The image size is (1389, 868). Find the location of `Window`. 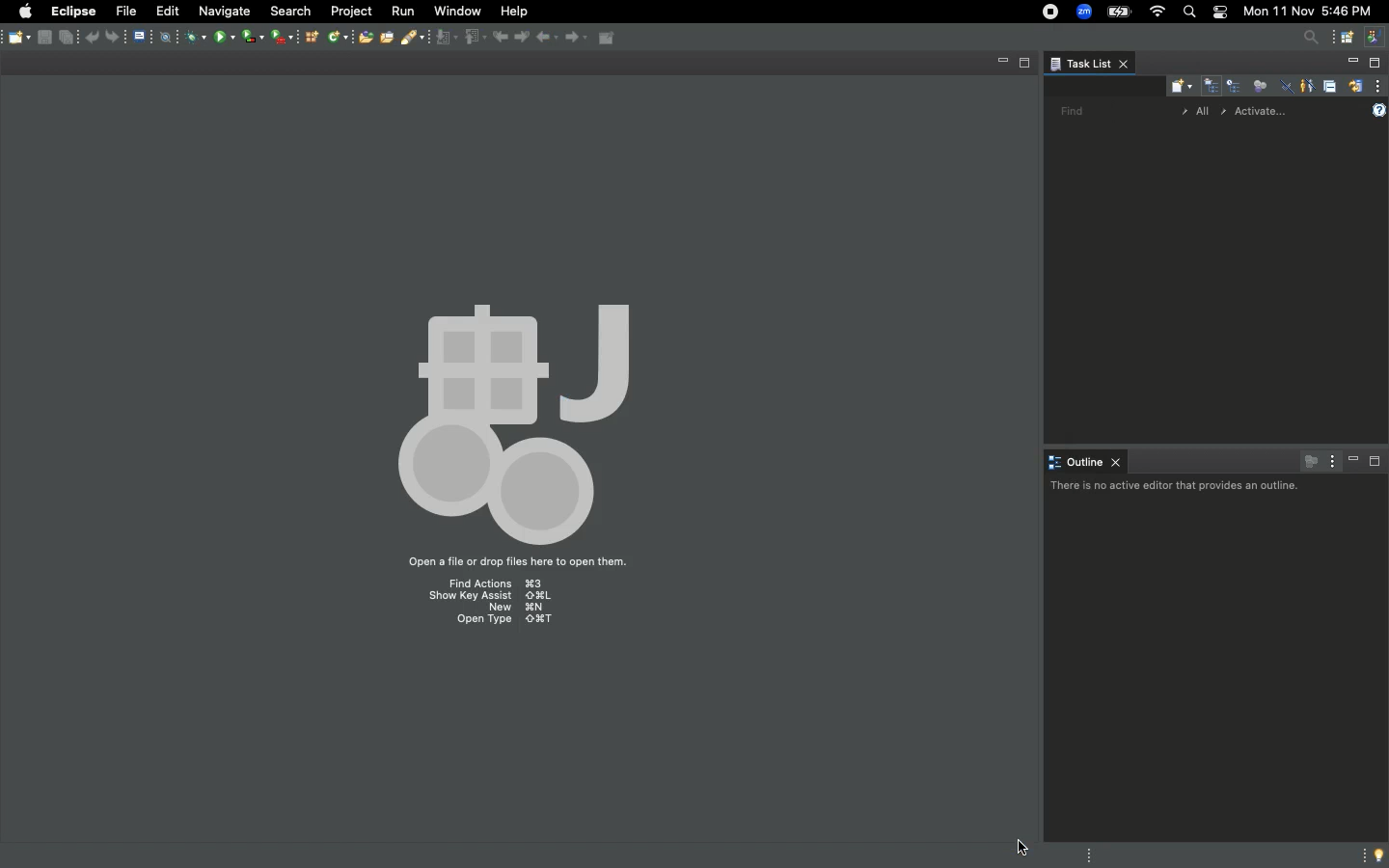

Window is located at coordinates (457, 12).